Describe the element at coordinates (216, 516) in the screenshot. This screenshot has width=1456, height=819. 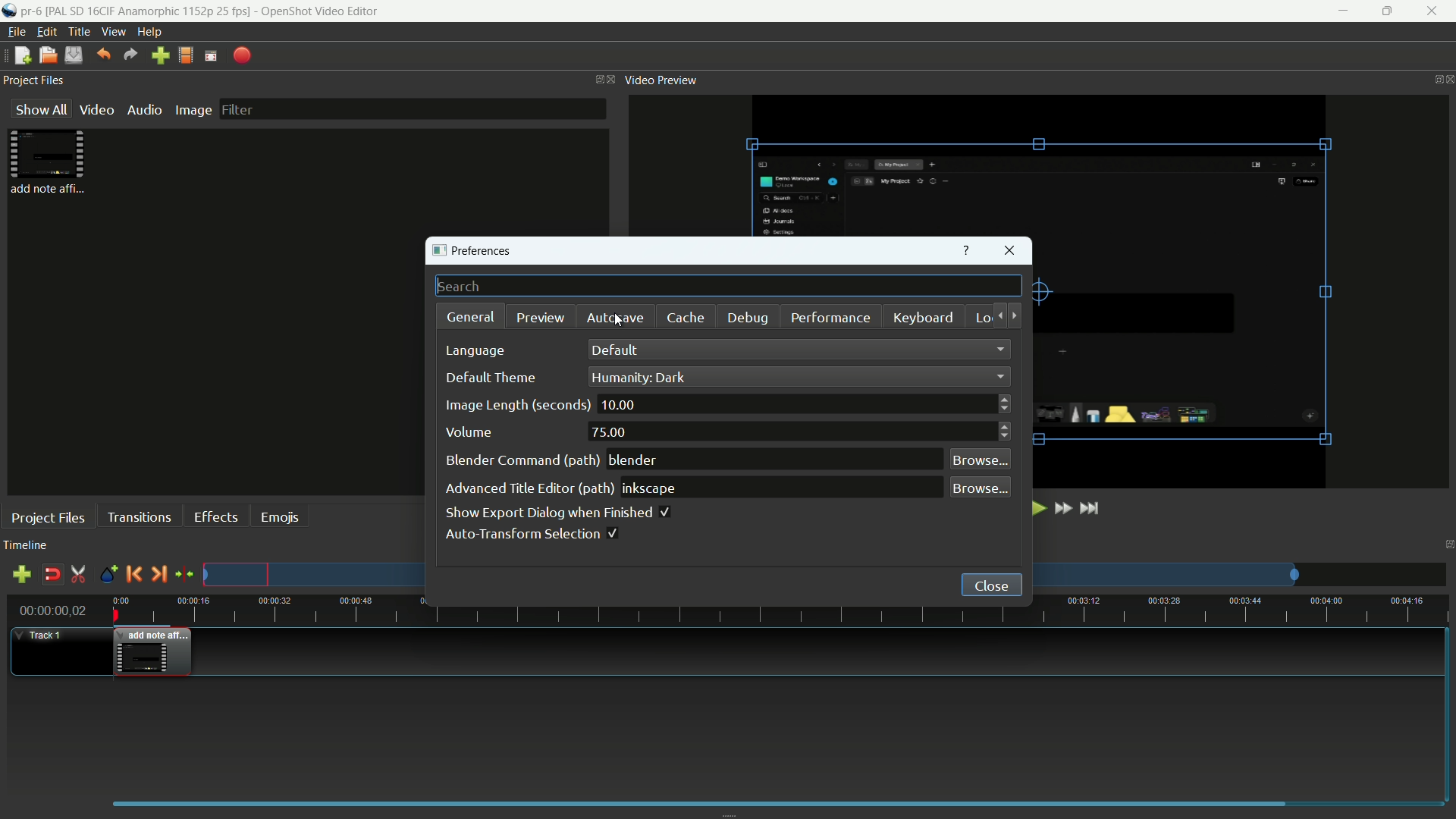
I see `effects` at that location.